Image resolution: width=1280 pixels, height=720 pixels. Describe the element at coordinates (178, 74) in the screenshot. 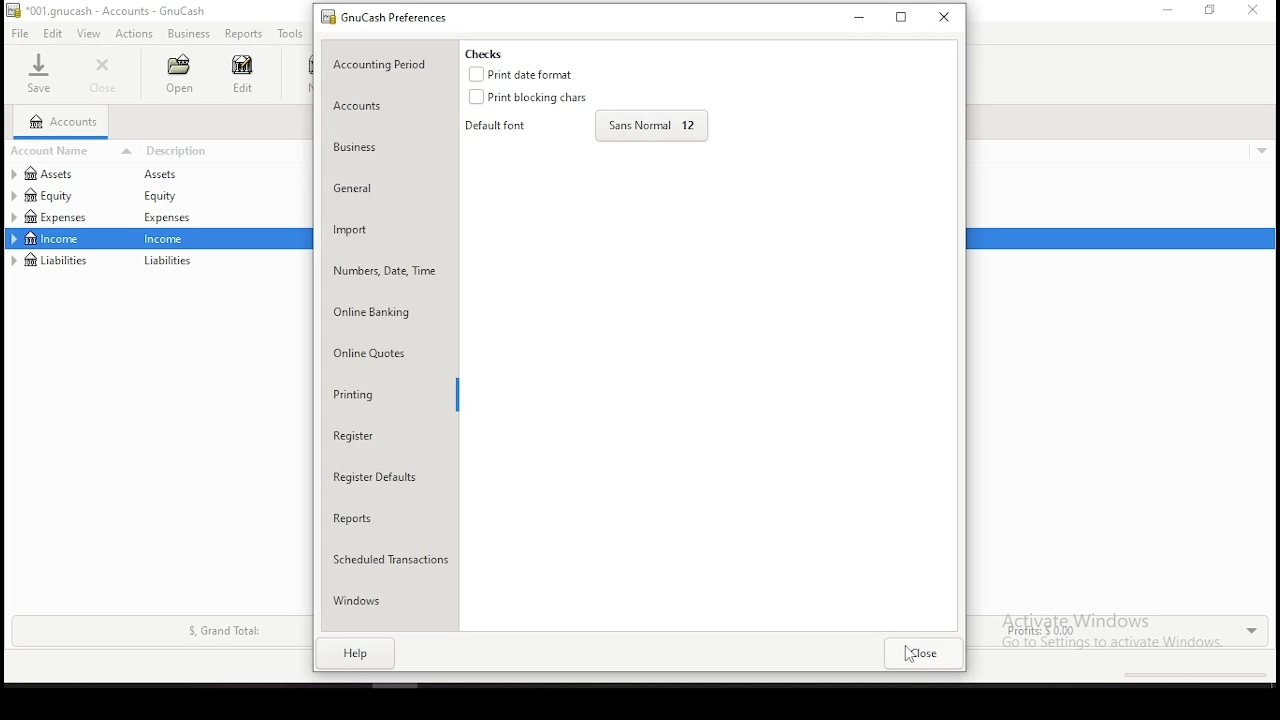

I see `open` at that location.